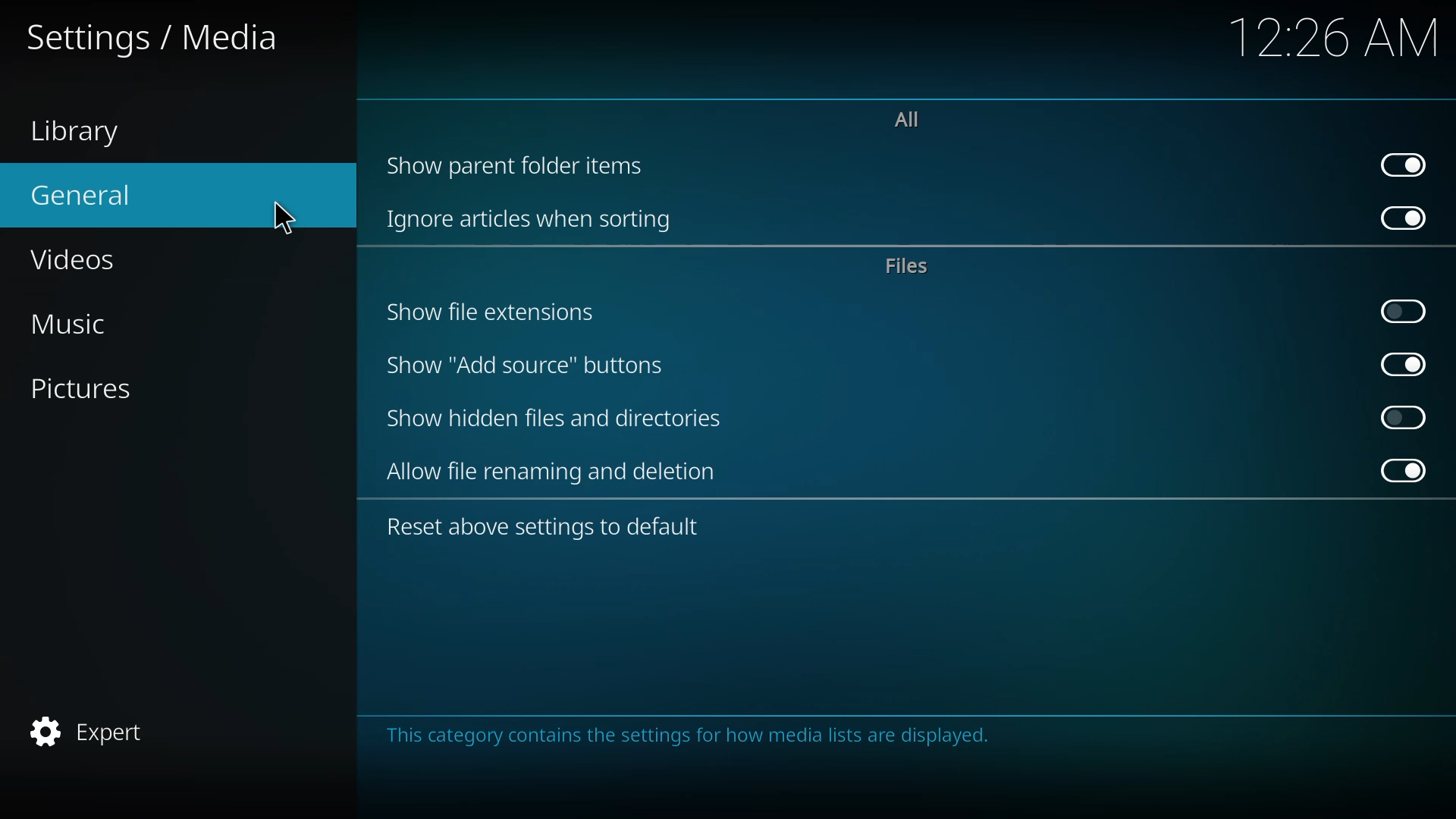 Image resolution: width=1456 pixels, height=819 pixels. Describe the element at coordinates (1406, 364) in the screenshot. I see `enabled` at that location.